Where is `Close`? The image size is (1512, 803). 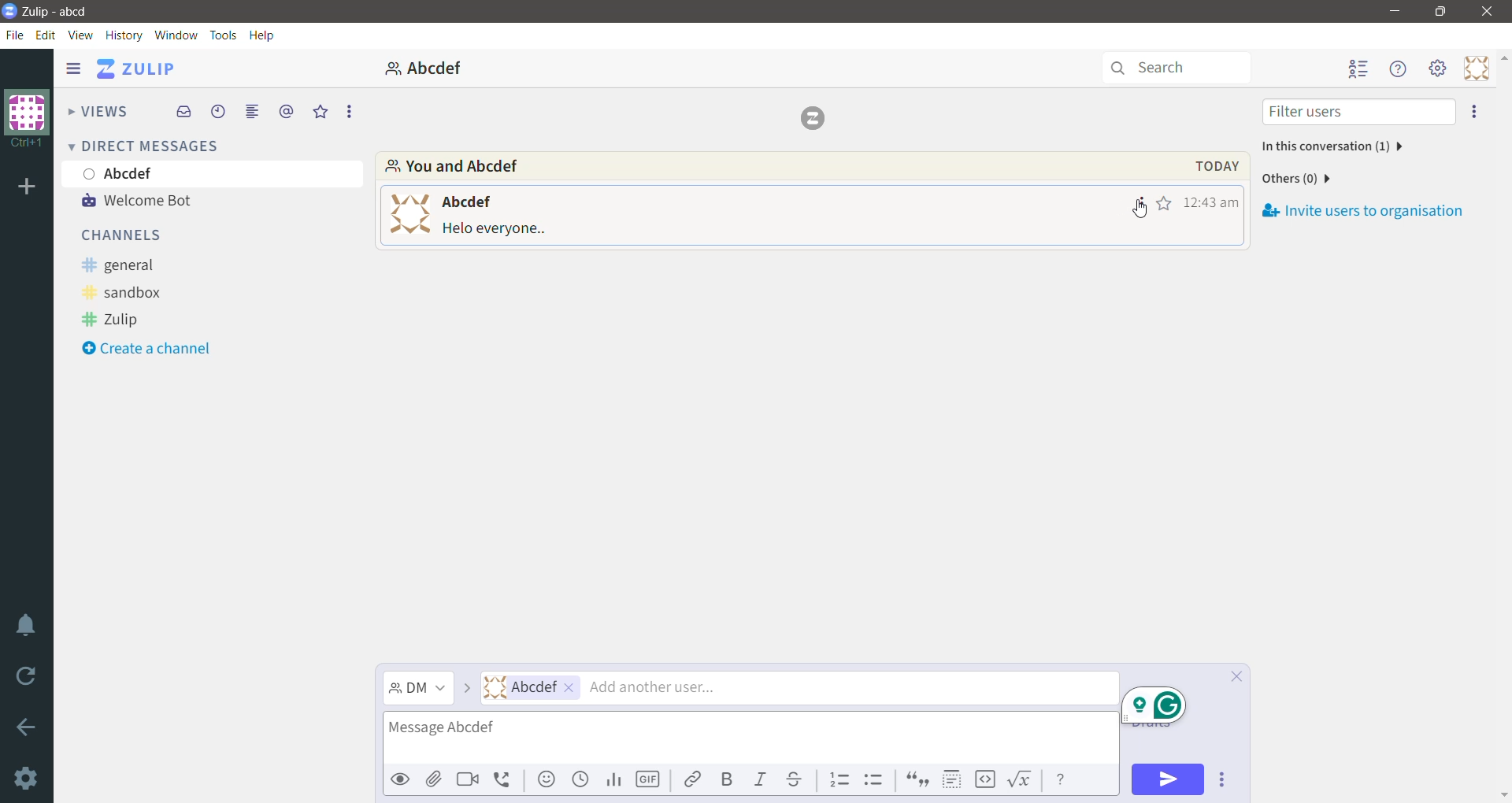 Close is located at coordinates (1488, 12).